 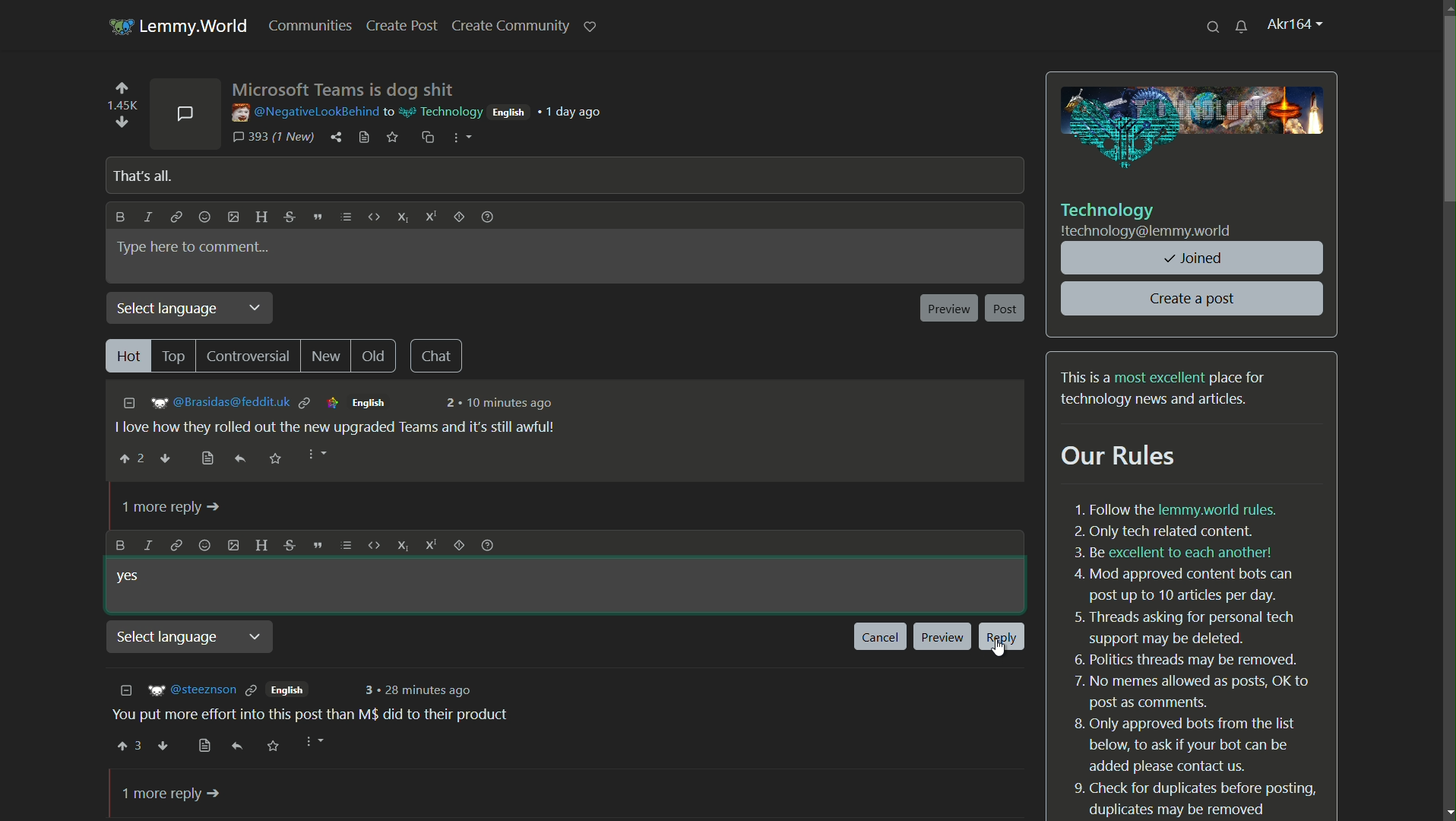 What do you see at coordinates (403, 216) in the screenshot?
I see `subscript` at bounding box center [403, 216].